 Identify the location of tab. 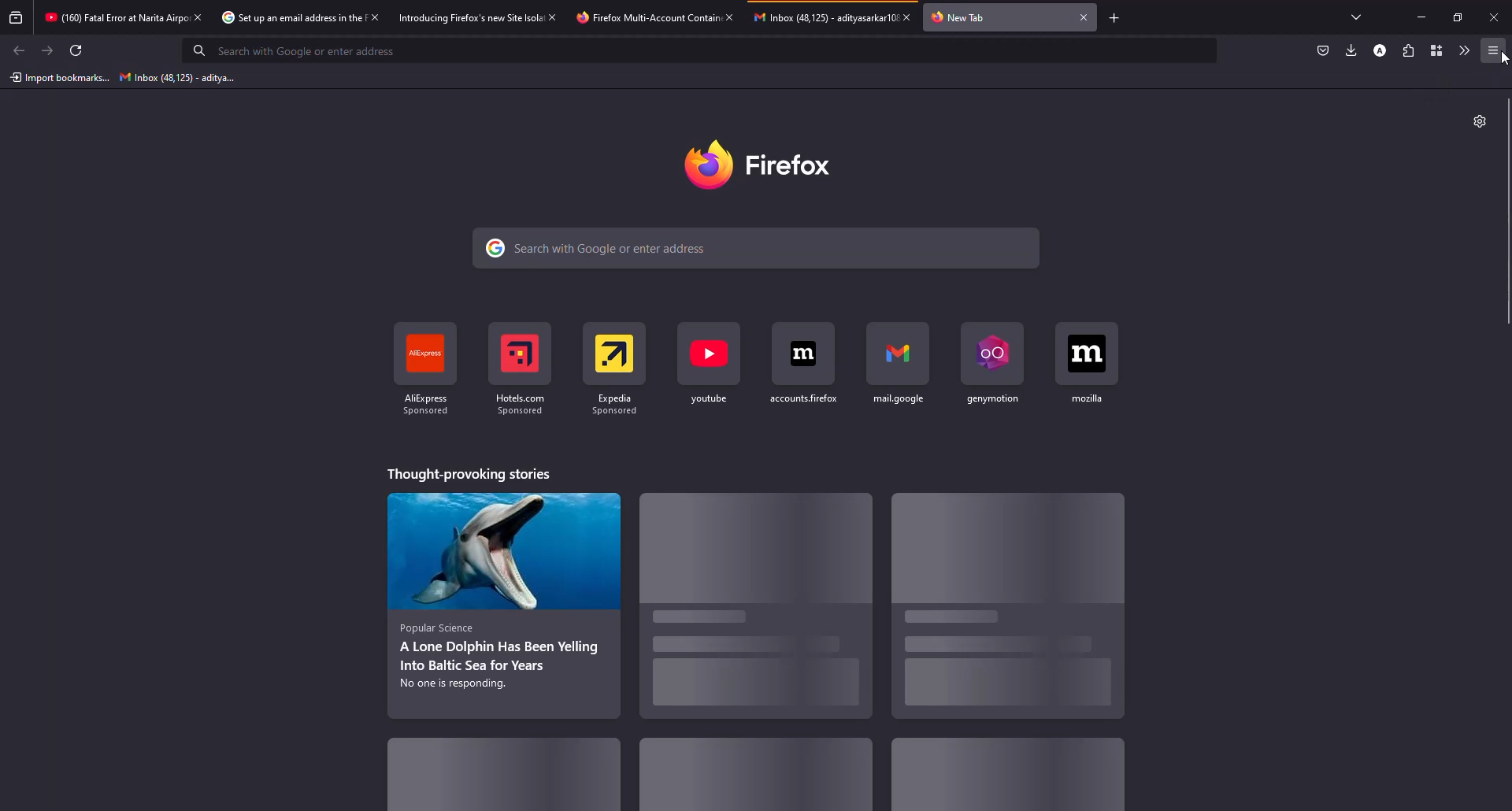
(113, 19).